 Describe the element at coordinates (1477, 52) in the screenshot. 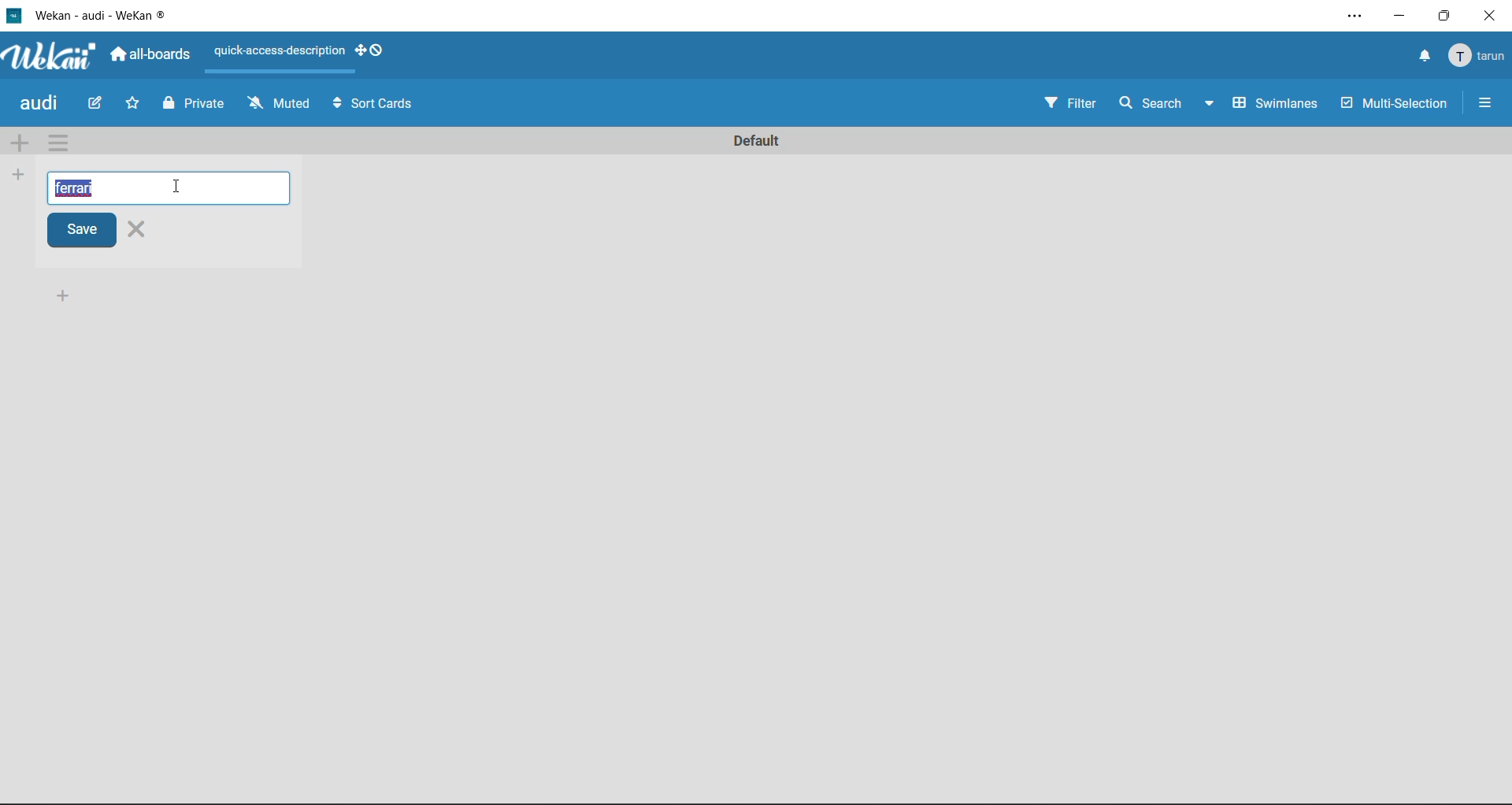

I see `tarun` at that location.